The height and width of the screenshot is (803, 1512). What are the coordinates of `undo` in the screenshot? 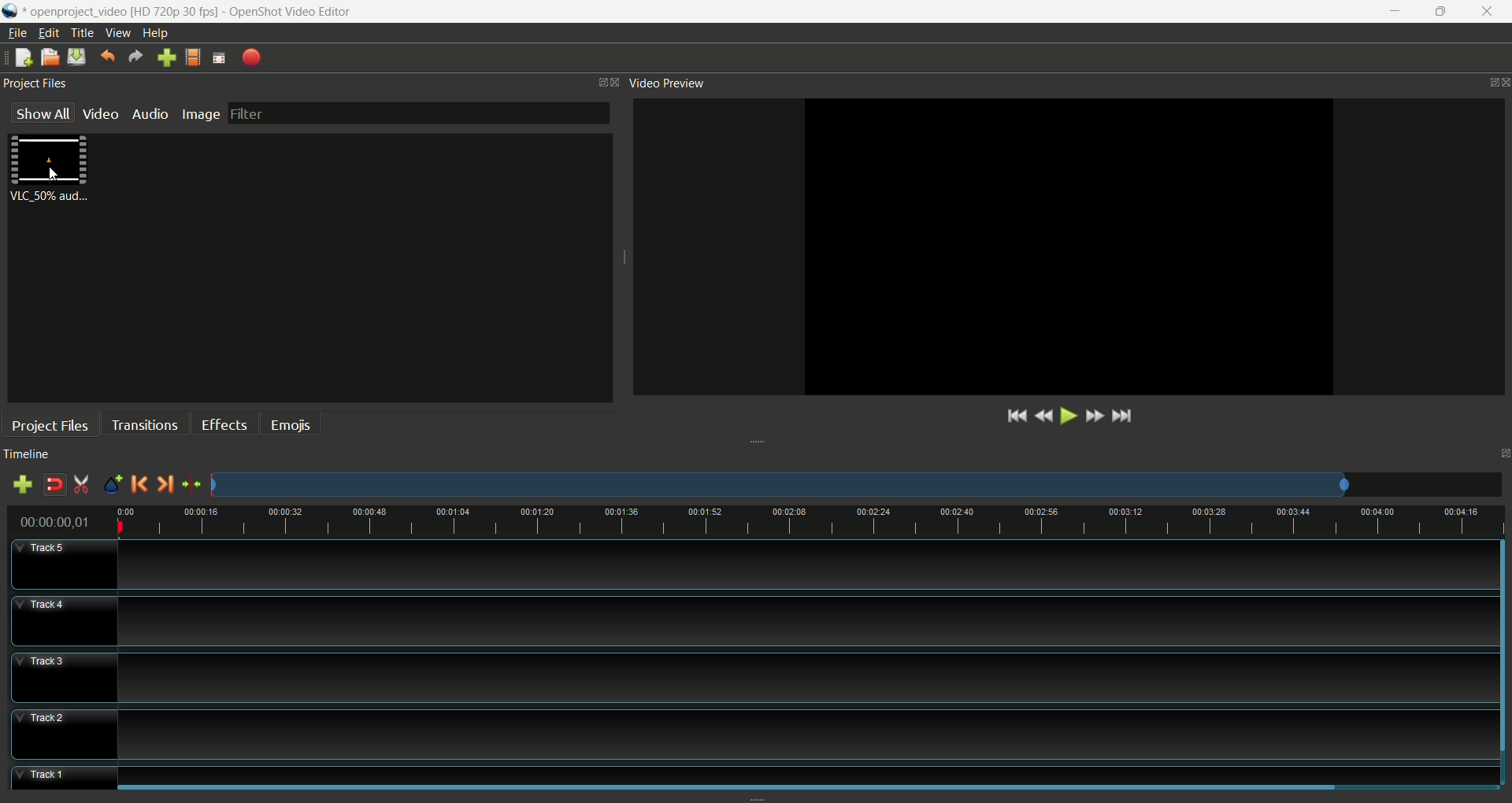 It's located at (106, 56).